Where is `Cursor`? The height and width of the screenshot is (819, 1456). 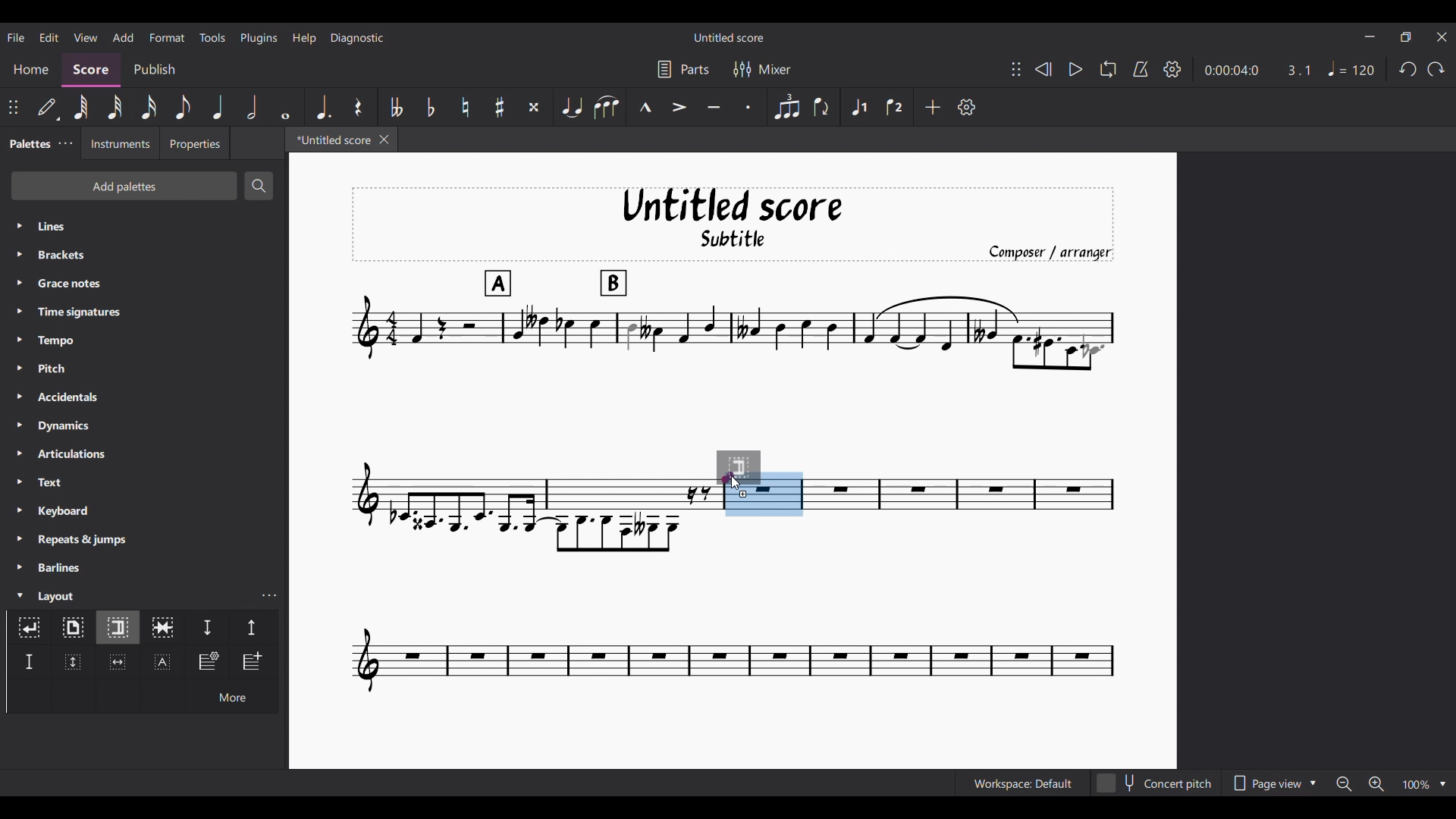
Cursor is located at coordinates (737, 482).